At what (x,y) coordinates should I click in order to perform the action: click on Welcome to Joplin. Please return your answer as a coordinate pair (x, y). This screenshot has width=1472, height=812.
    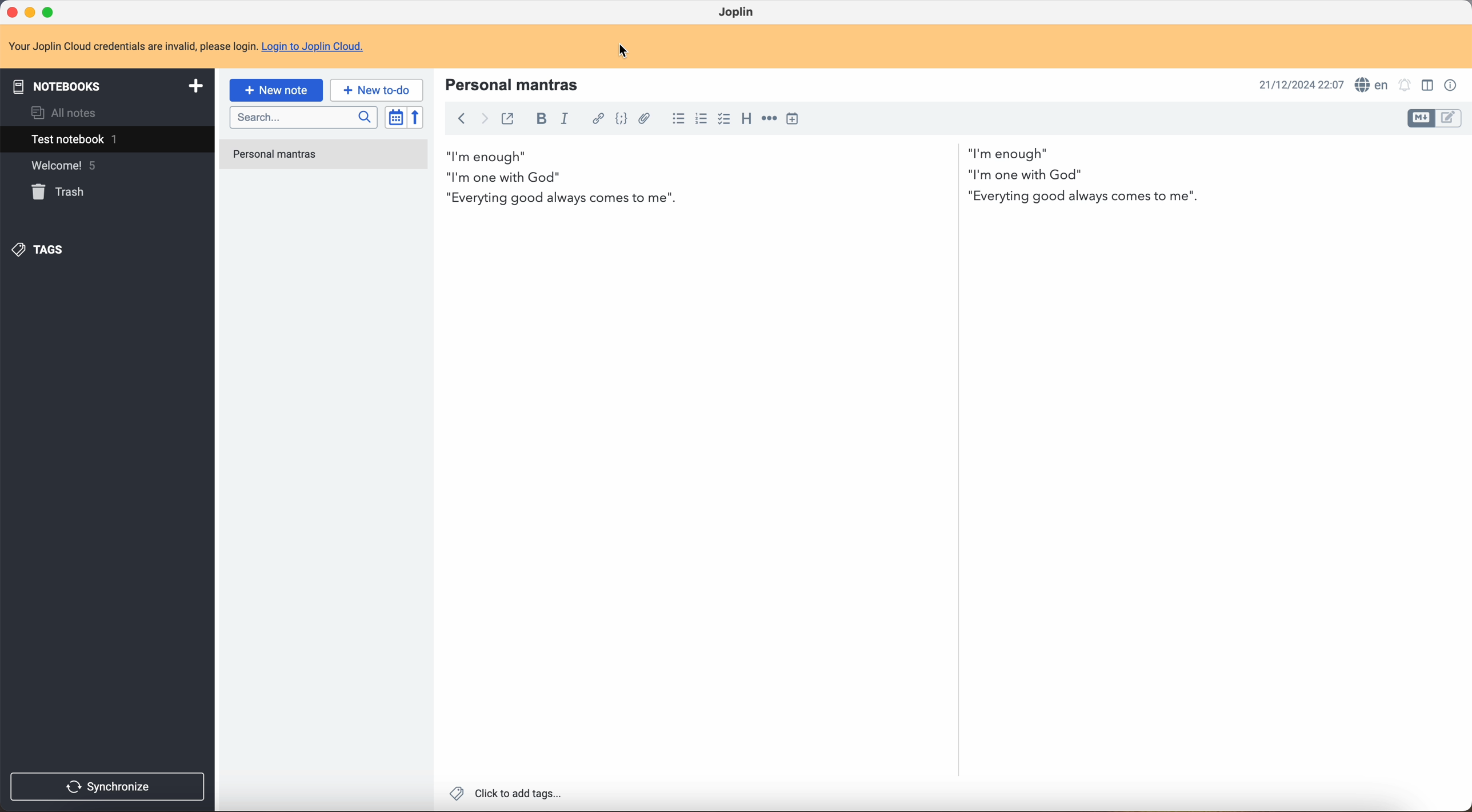
    Looking at the image, I should click on (543, 83).